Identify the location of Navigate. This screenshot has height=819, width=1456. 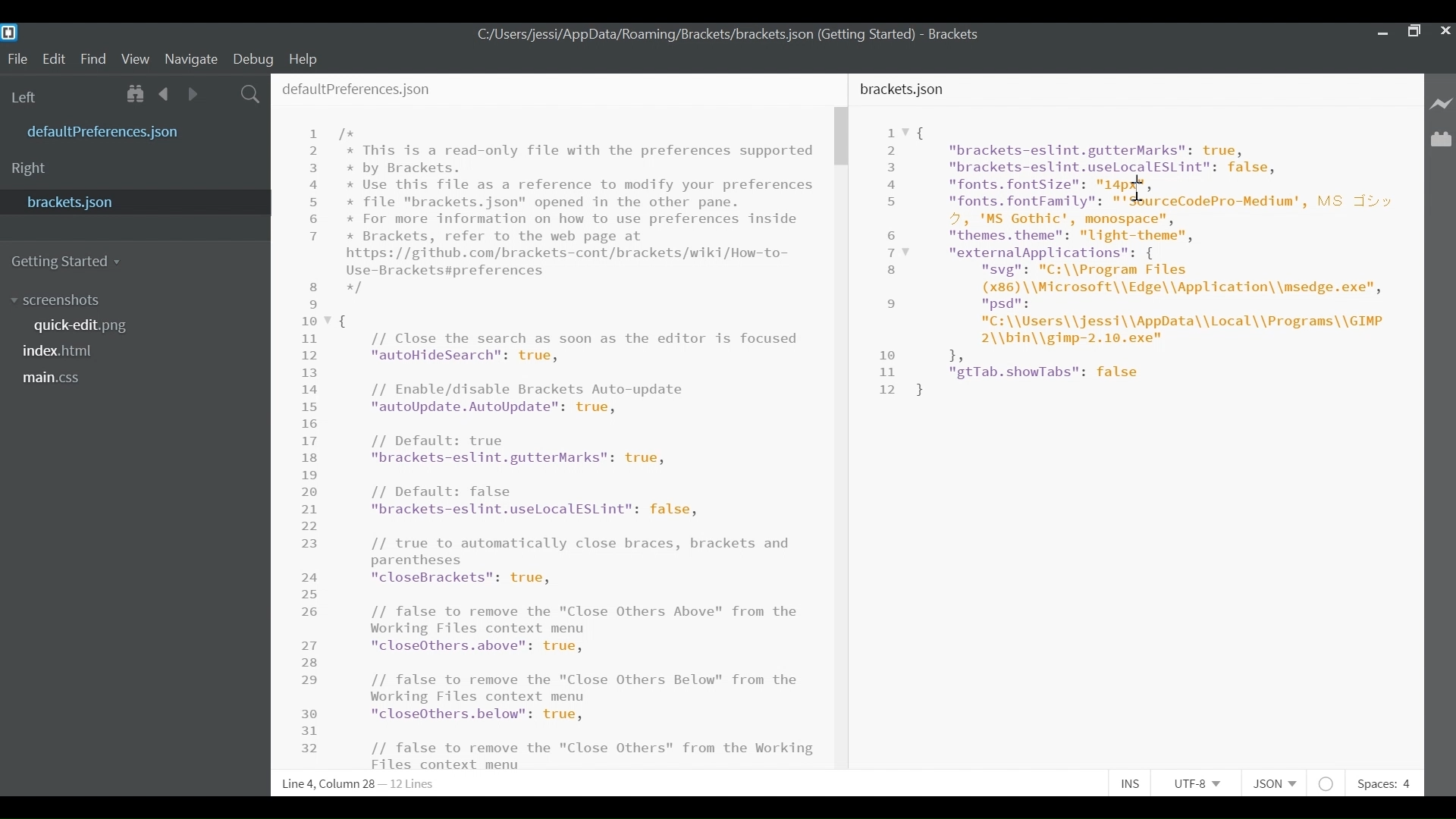
(190, 59).